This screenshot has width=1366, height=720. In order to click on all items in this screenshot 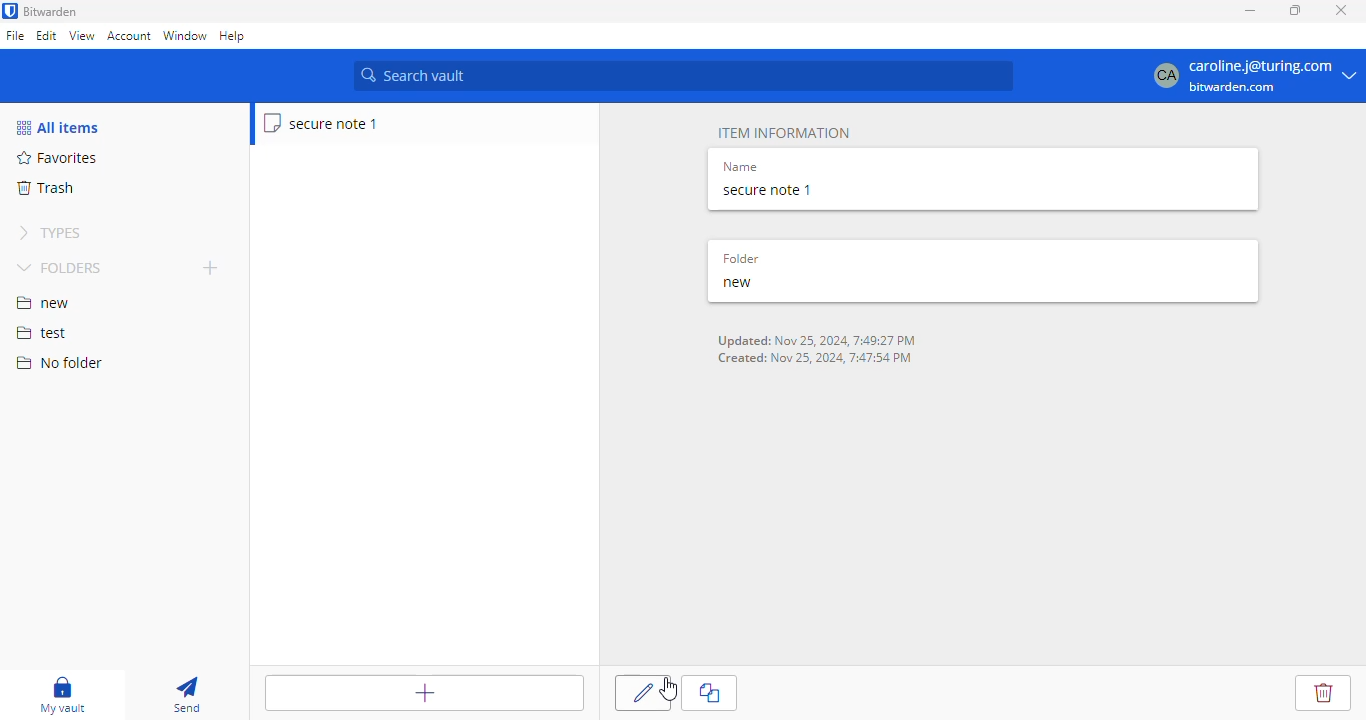, I will do `click(57, 127)`.